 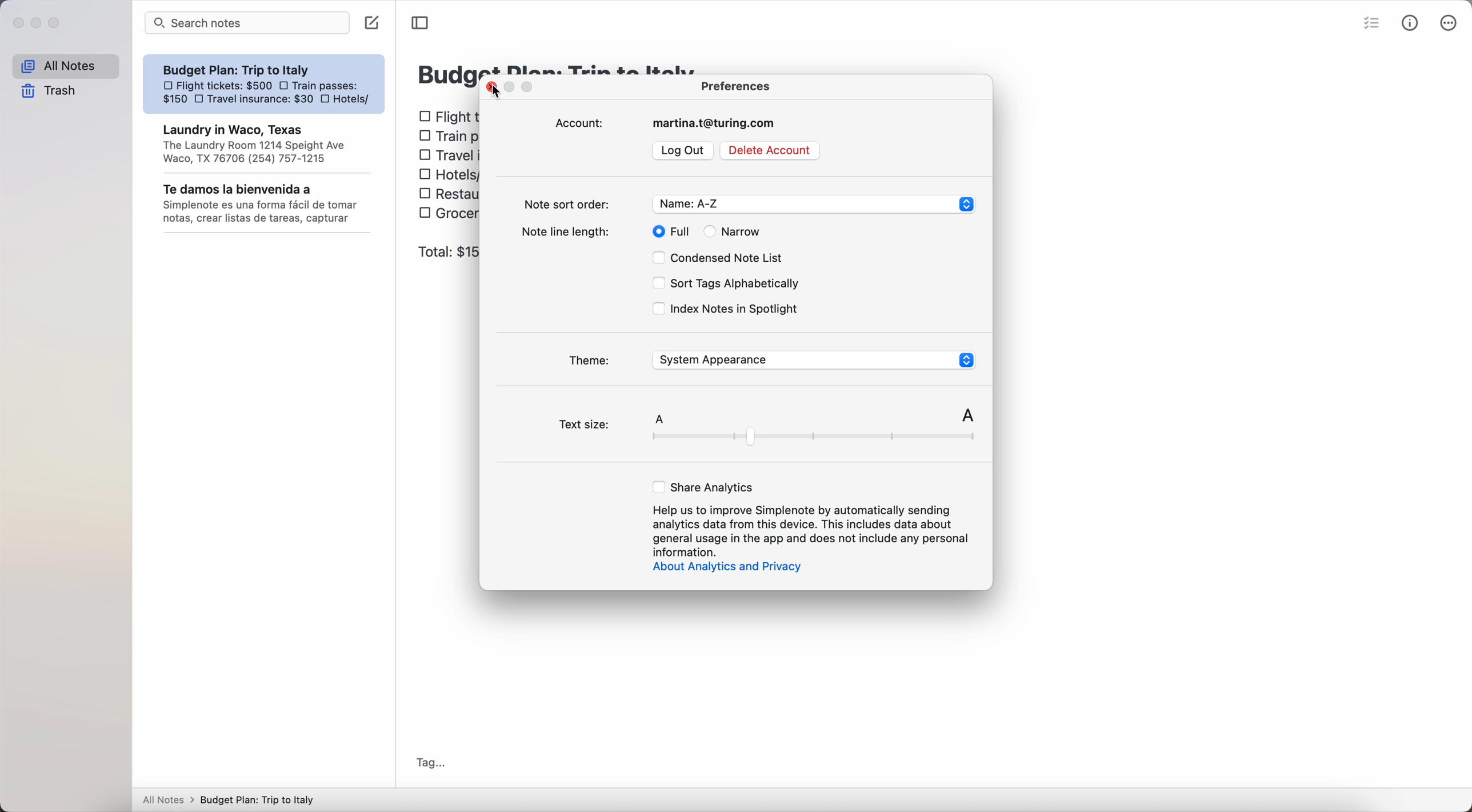 I want to click on Help us to improve Simplenote by automatically sending analytics data from this devices., so click(x=813, y=529).